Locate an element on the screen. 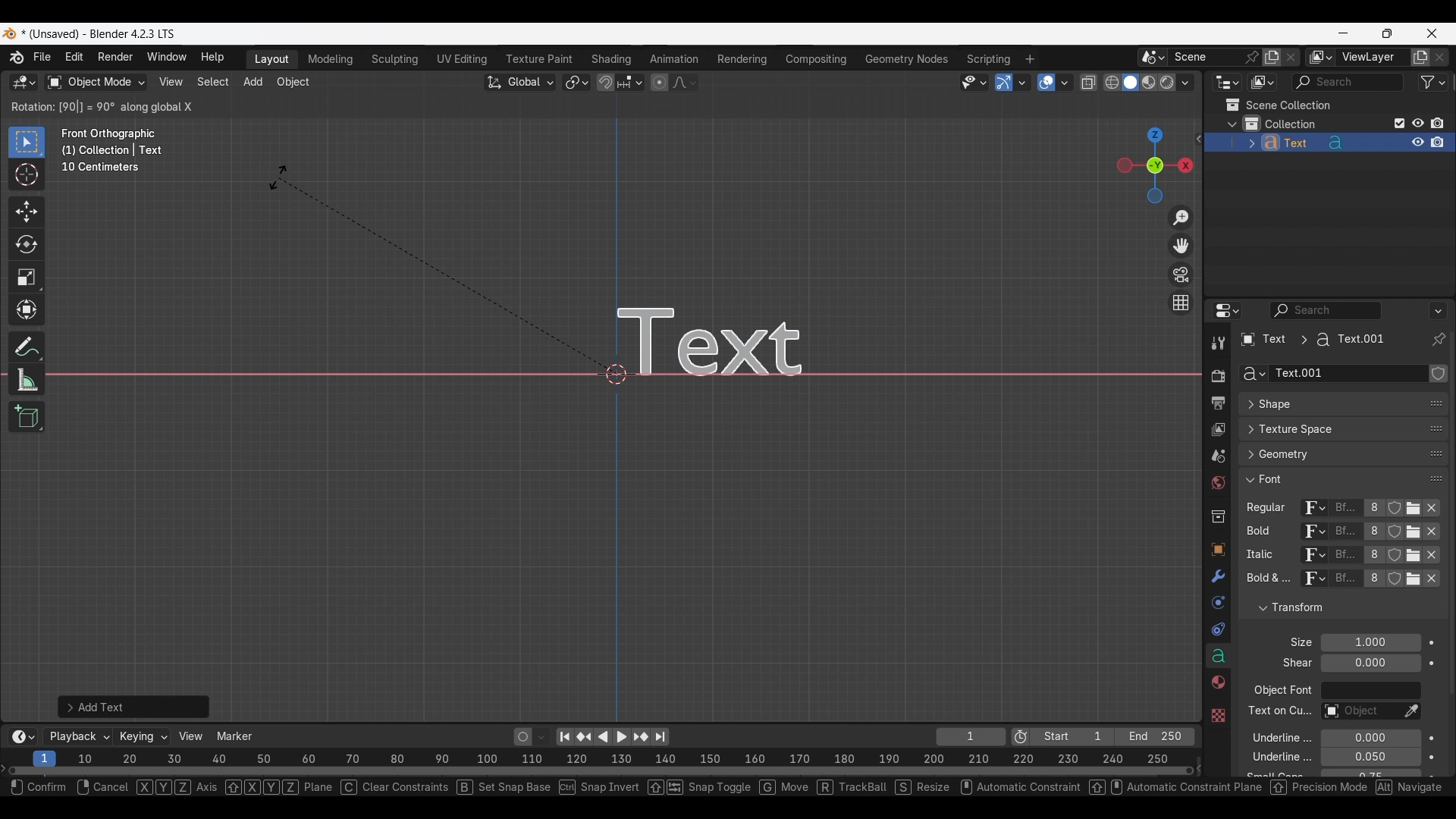  Text object added to collection is located at coordinates (1329, 143).